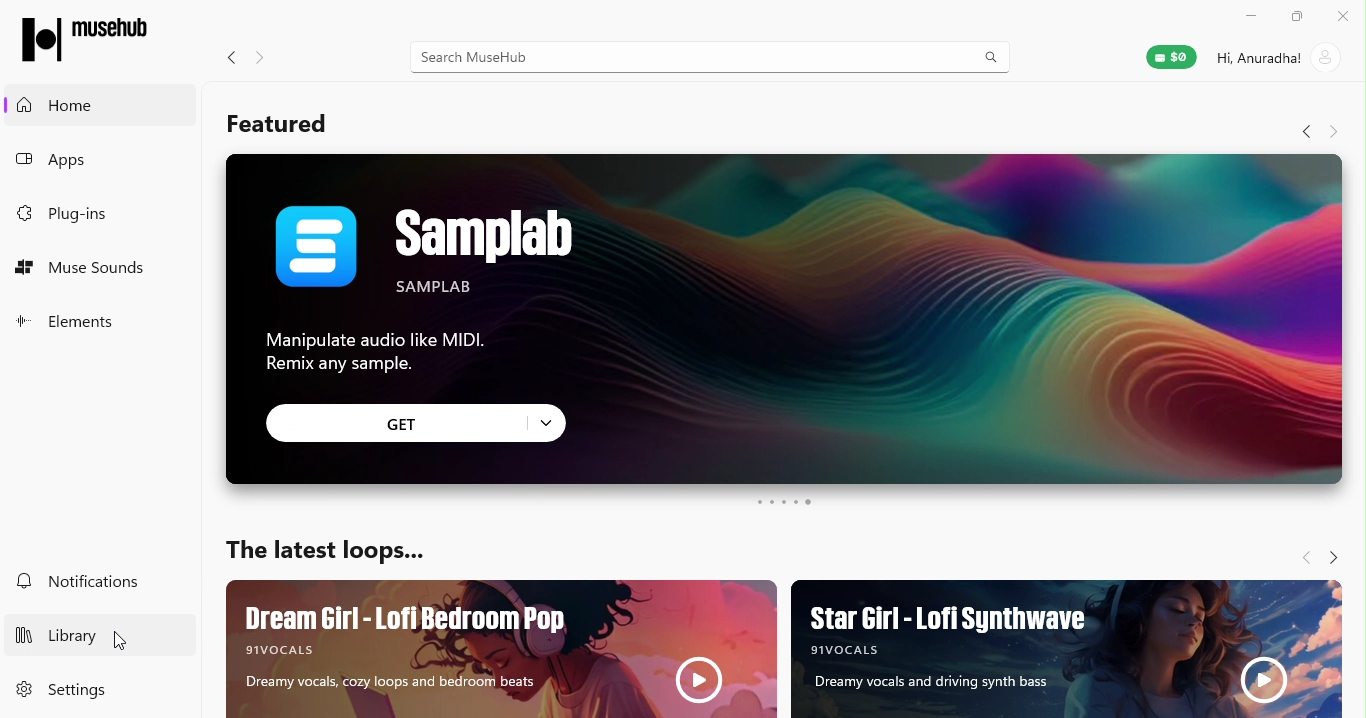  Describe the element at coordinates (1074, 650) in the screenshot. I see `Star gilr- lofi synthwave Ad` at that location.